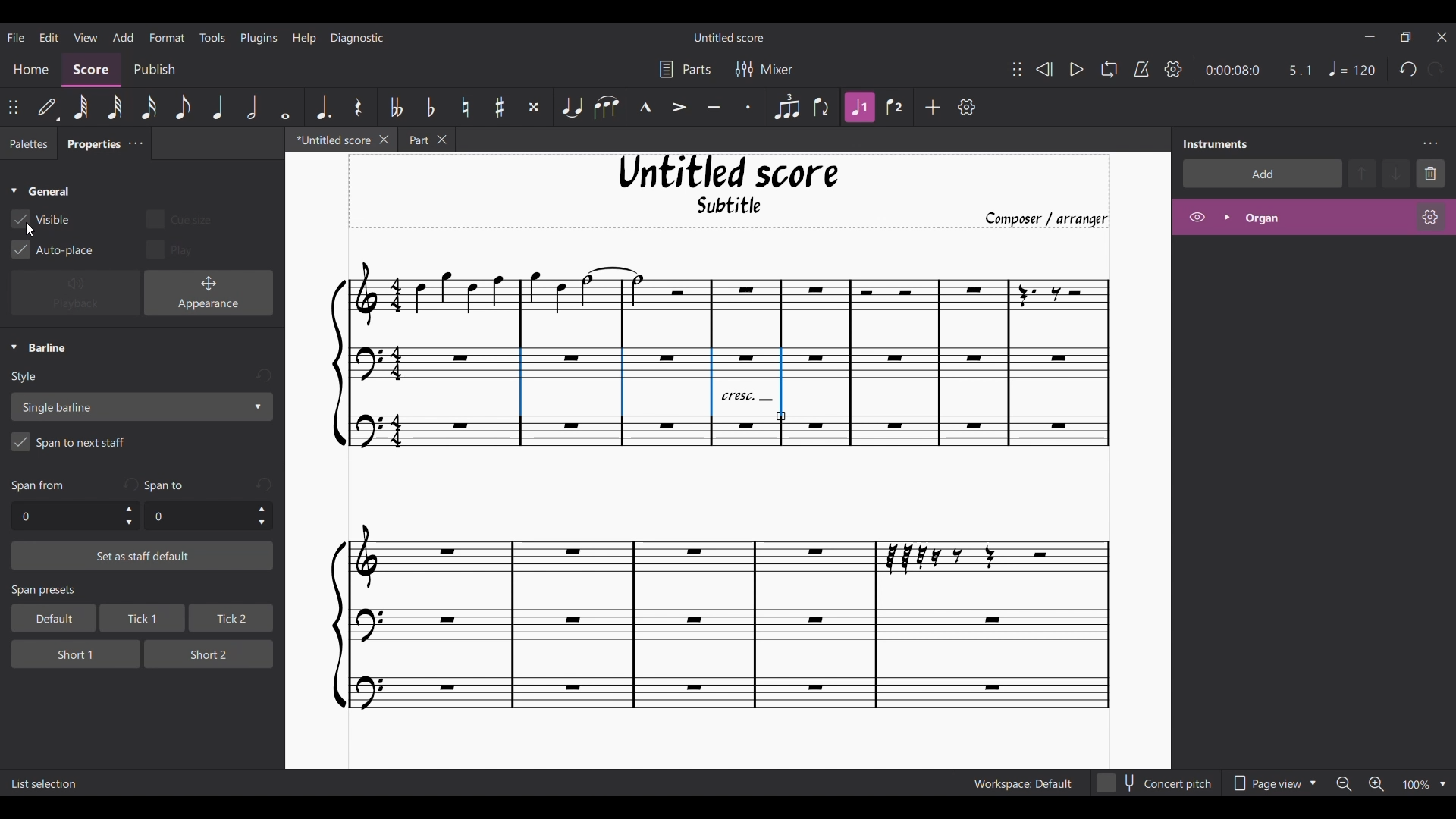  Describe the element at coordinates (38, 486) in the screenshot. I see `Indicates text space for Span from` at that location.